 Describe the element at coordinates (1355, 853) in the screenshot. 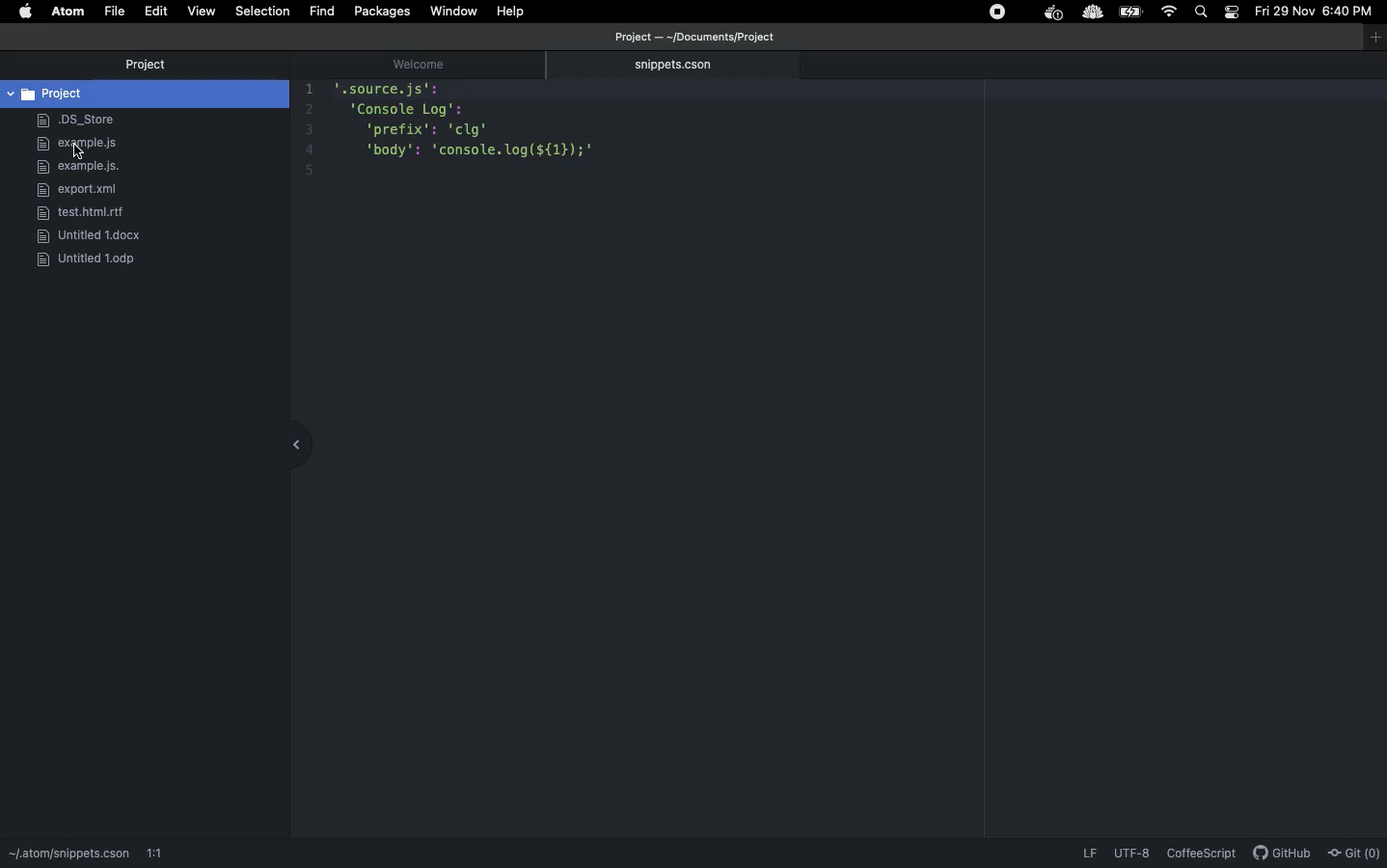

I see `Git` at that location.